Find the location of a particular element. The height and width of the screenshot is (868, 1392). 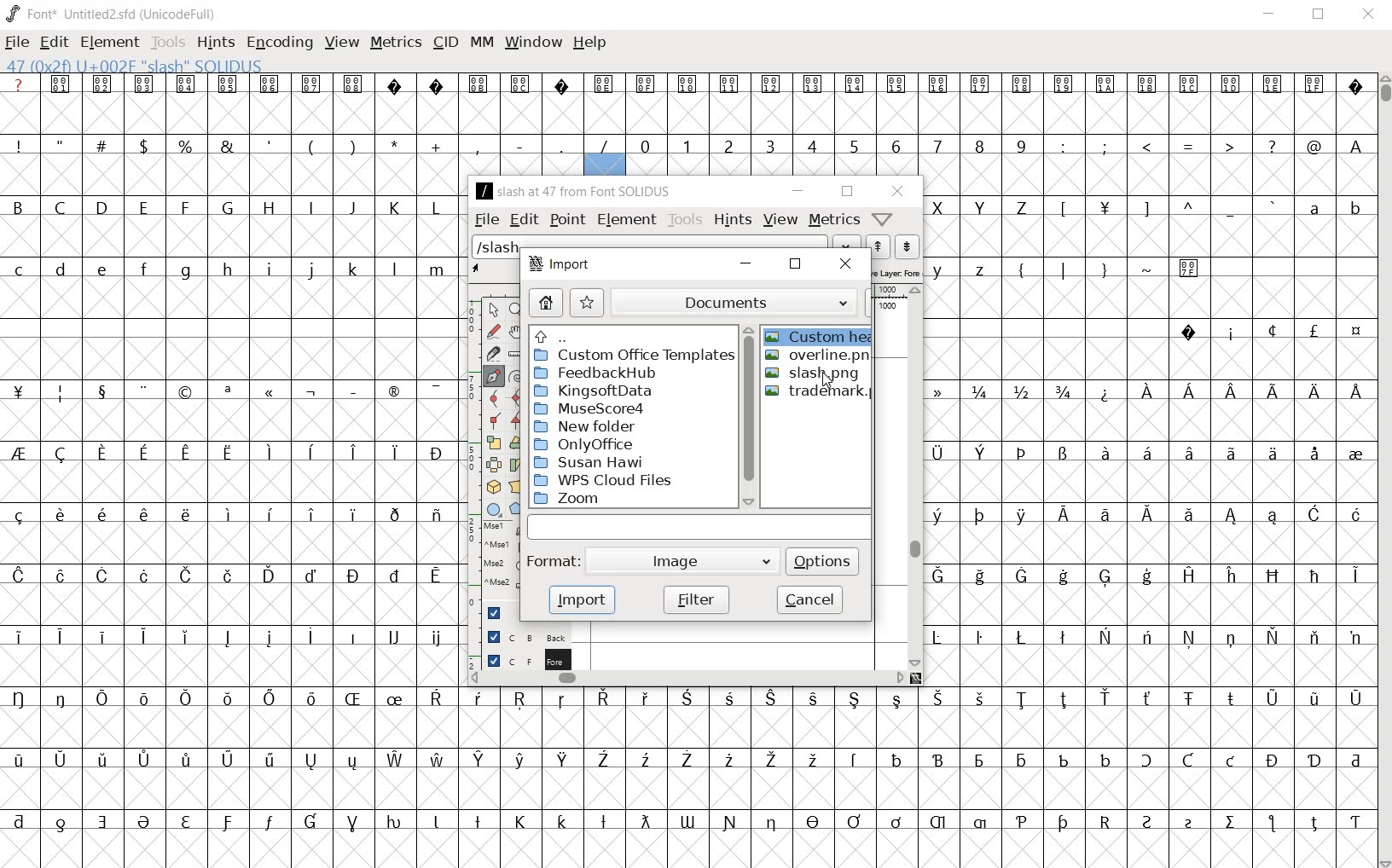

WINDOW is located at coordinates (531, 43).